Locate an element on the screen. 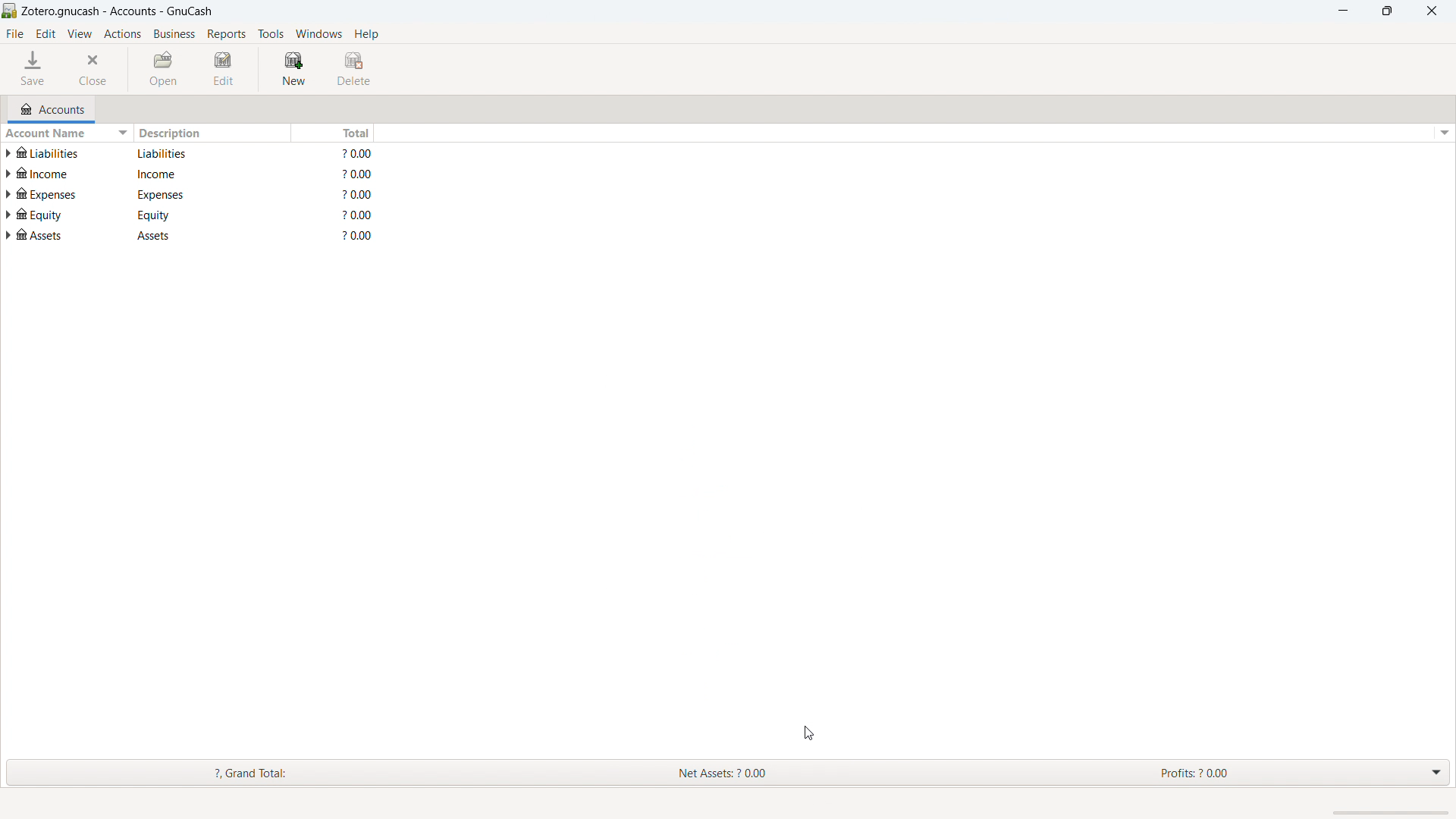  reports is located at coordinates (227, 34).